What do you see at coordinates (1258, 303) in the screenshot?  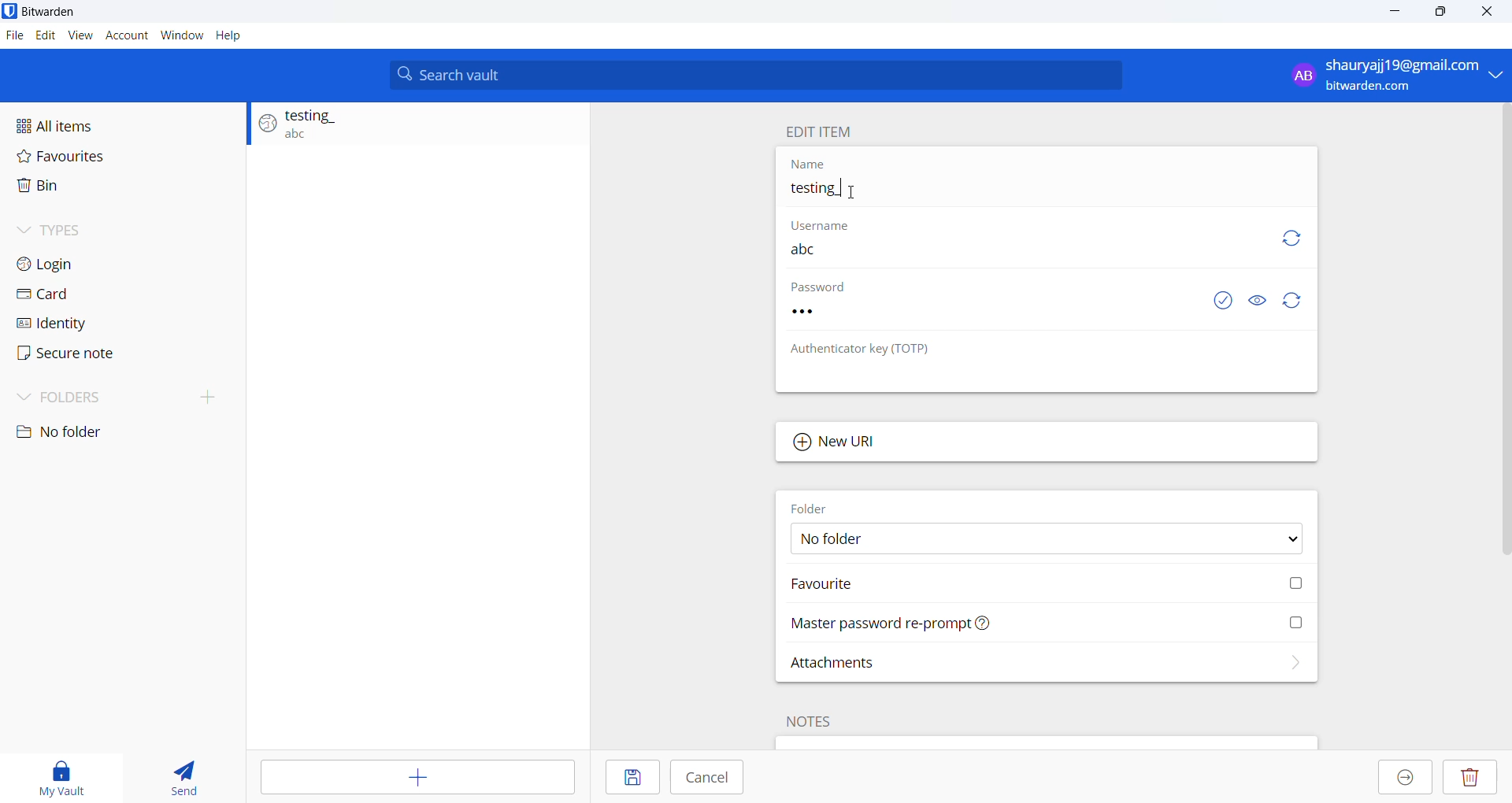 I see `Visibility` at bounding box center [1258, 303].